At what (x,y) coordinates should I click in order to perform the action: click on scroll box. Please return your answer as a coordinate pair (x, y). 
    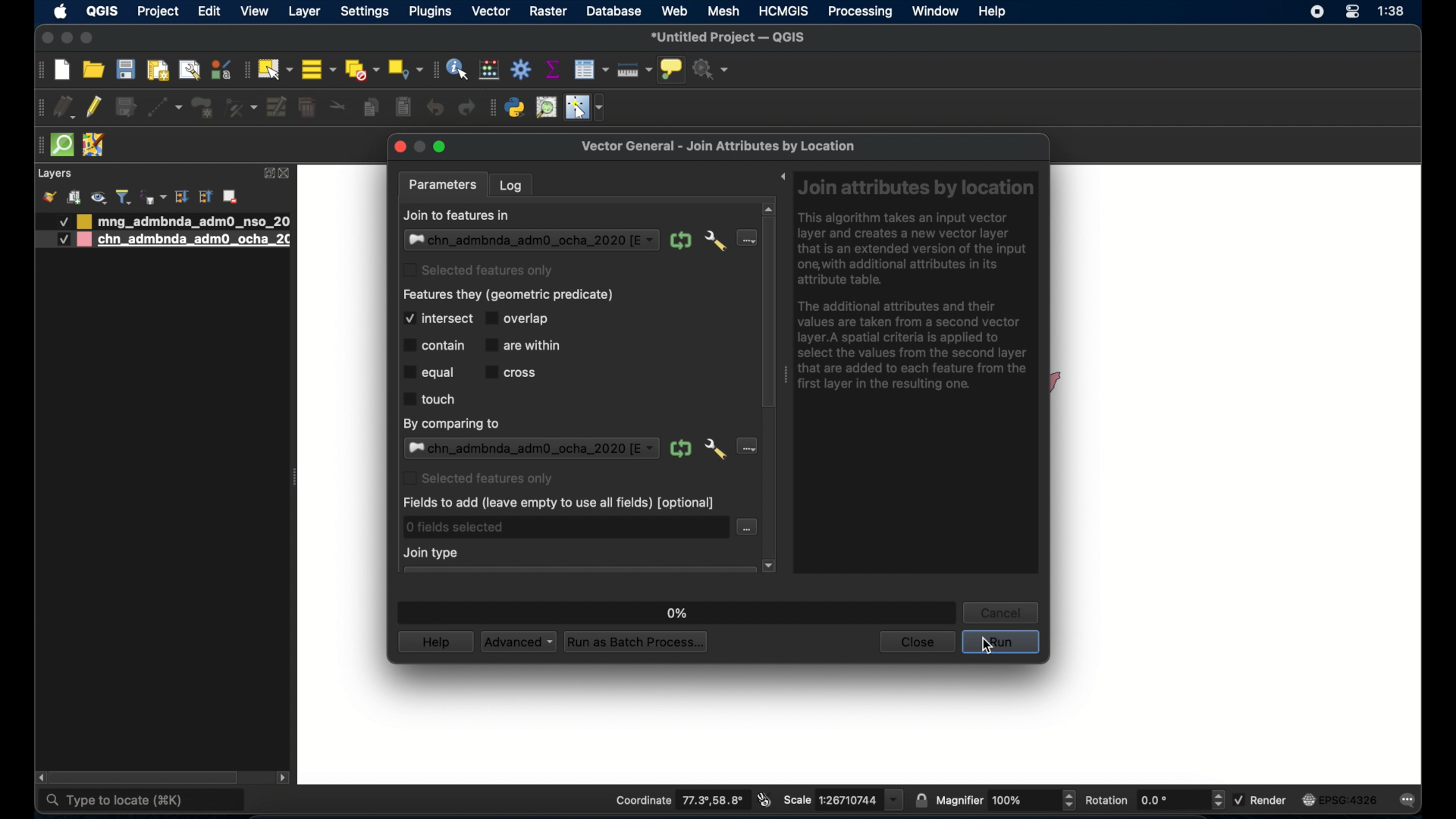
    Looking at the image, I should click on (768, 312).